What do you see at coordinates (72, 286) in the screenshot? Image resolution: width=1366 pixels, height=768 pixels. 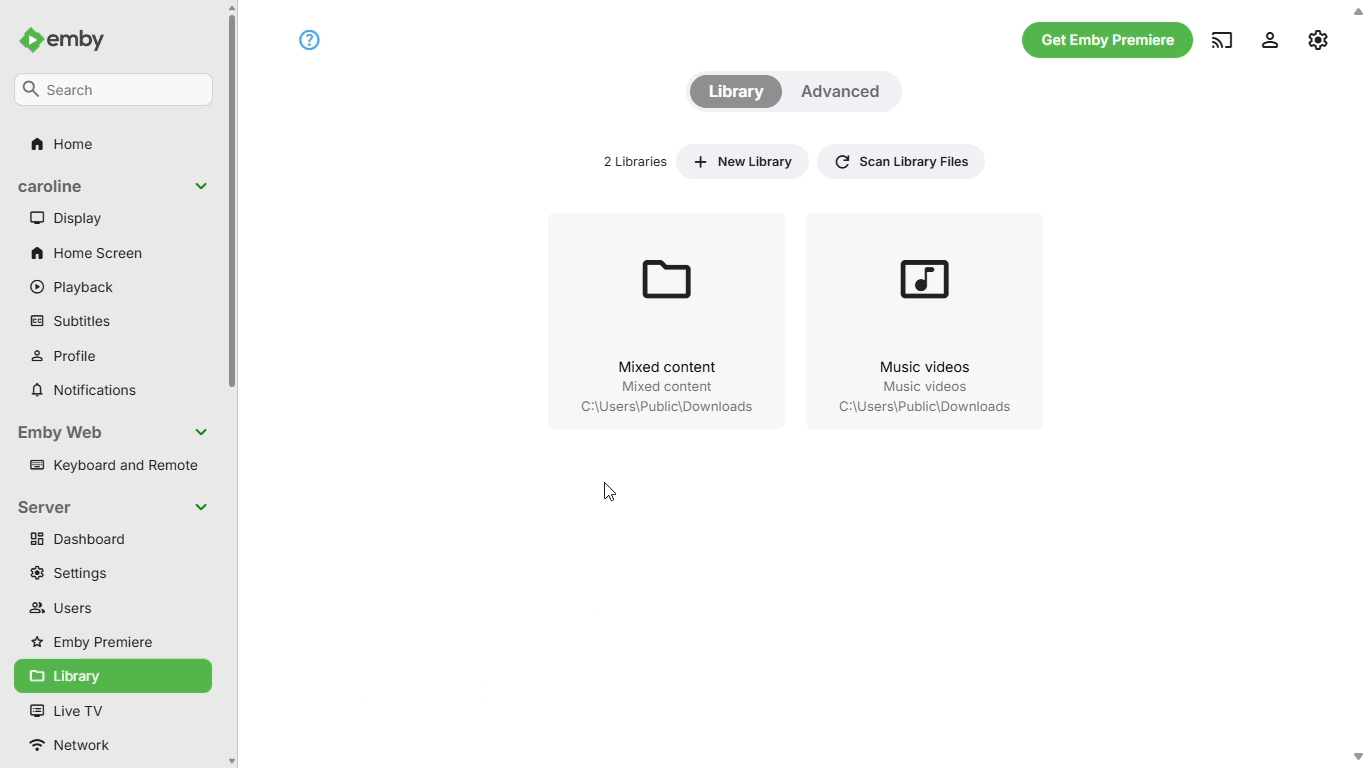 I see `playback` at bounding box center [72, 286].